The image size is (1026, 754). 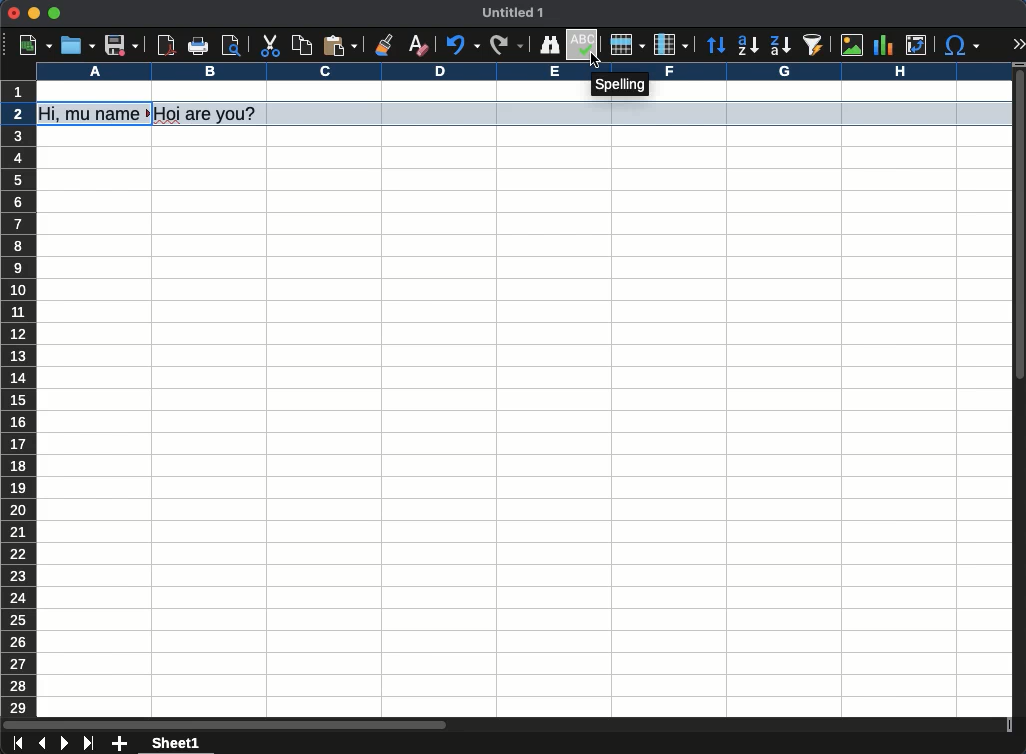 I want to click on first sheet, so click(x=20, y=743).